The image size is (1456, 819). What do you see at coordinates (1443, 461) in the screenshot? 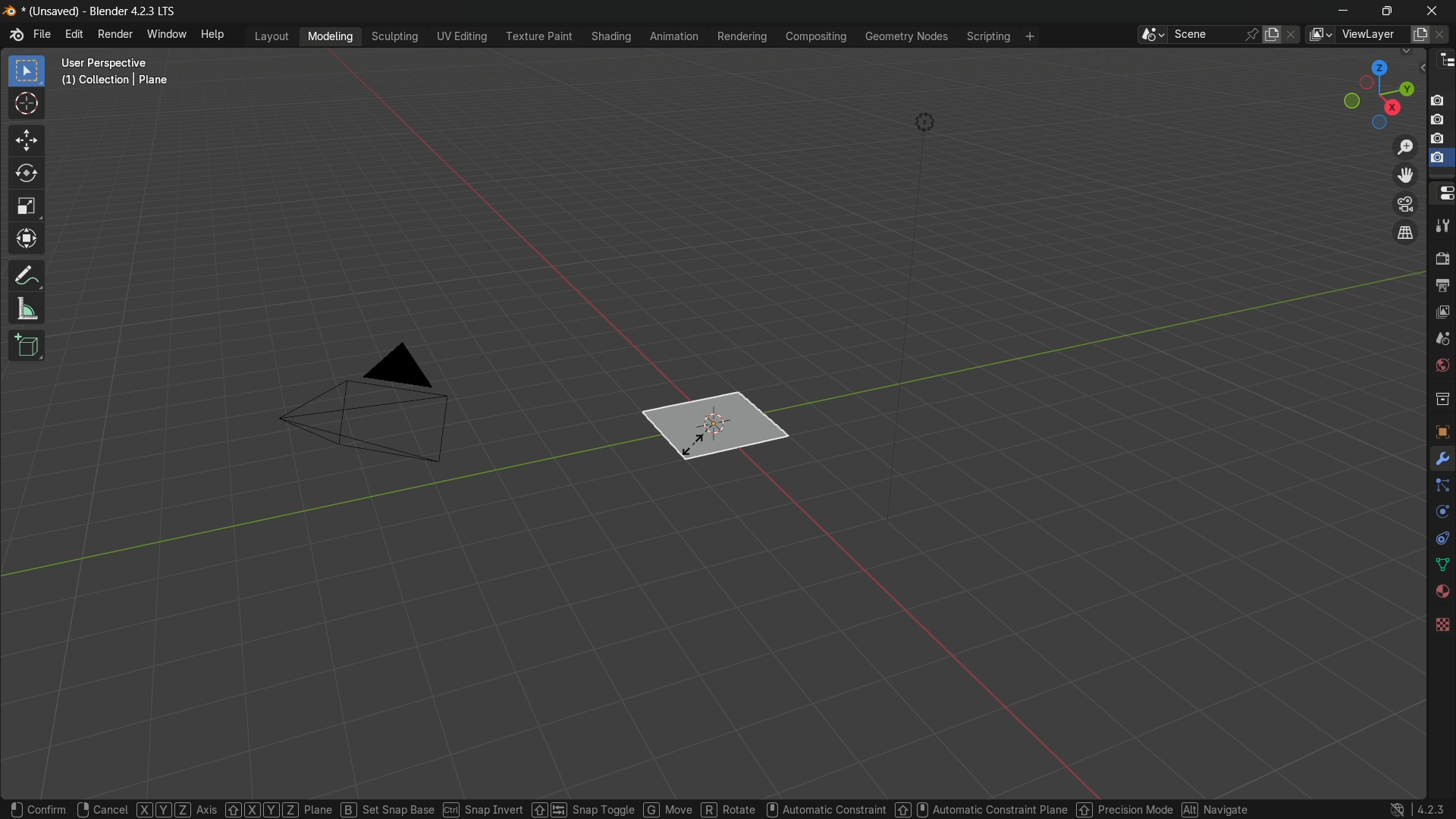
I see `tools` at bounding box center [1443, 461].